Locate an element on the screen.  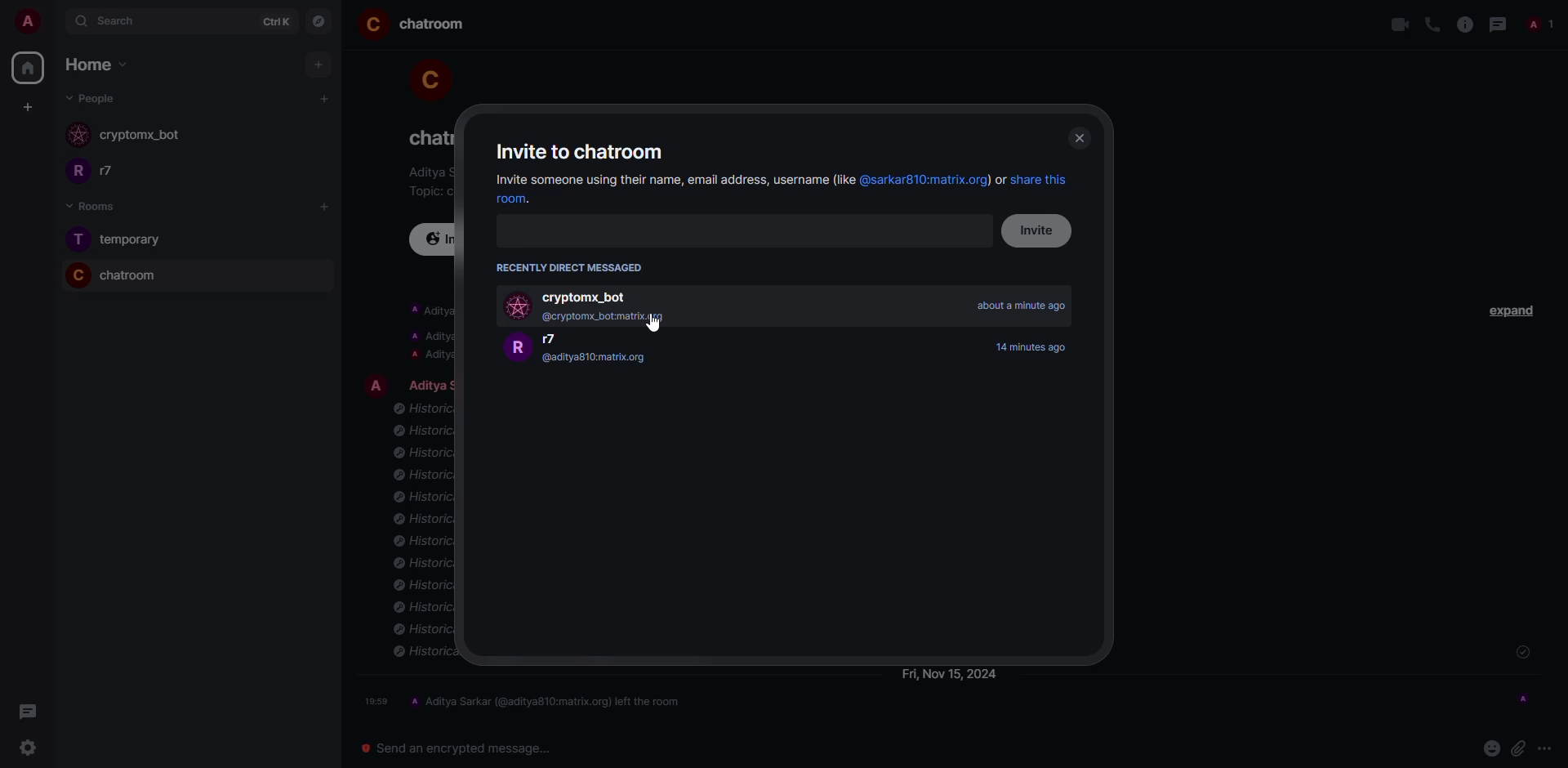
people is located at coordinates (561, 340).